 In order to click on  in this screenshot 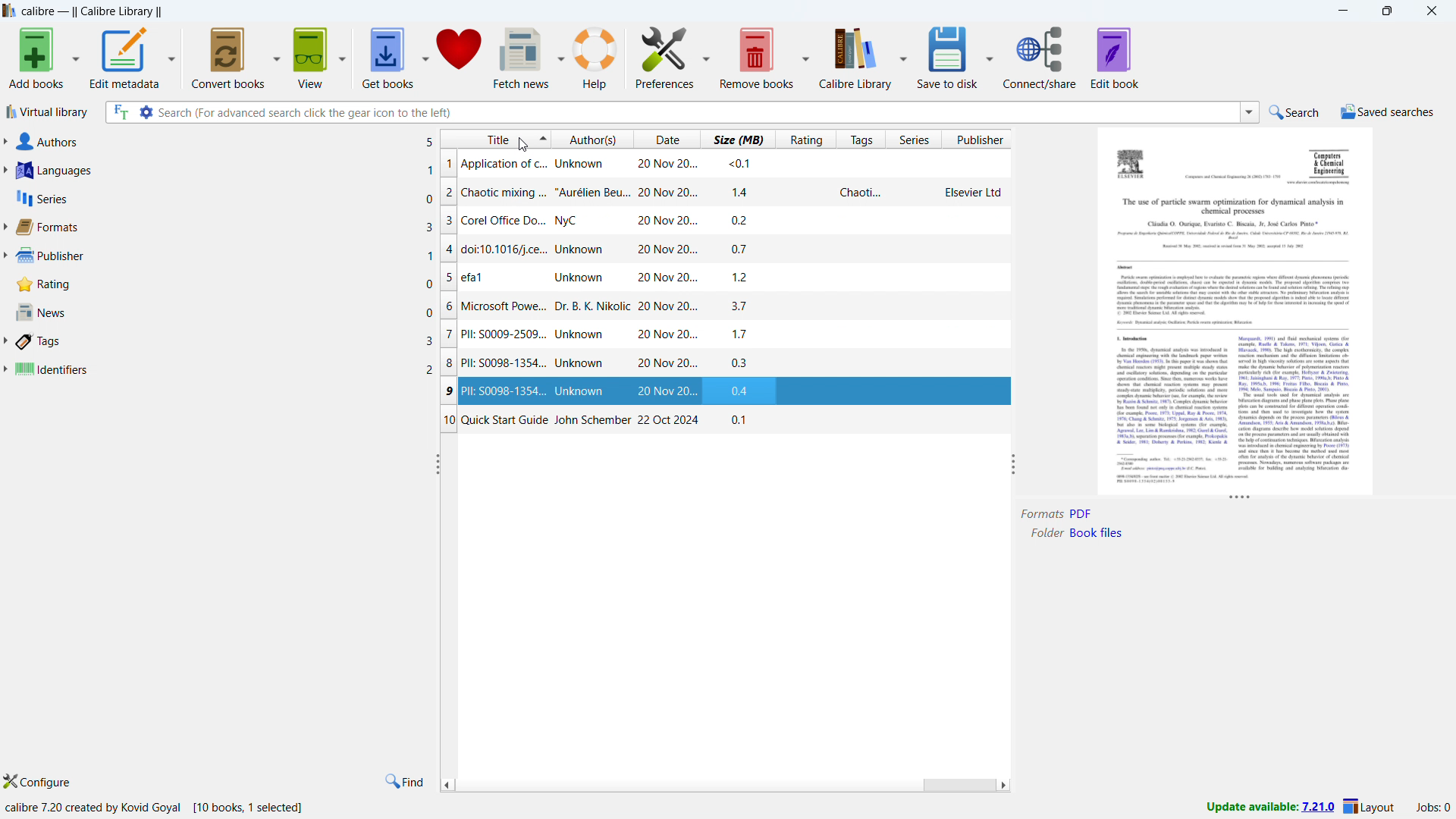, I will do `click(1131, 269)`.